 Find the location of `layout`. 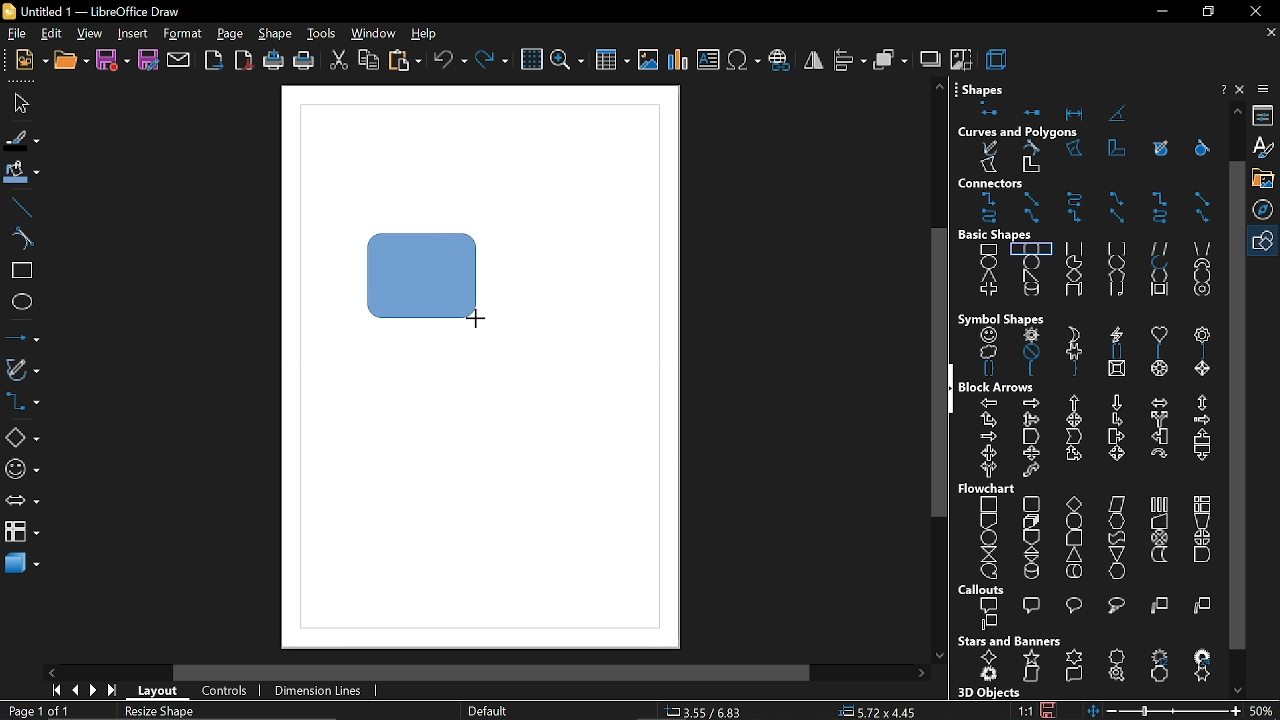

layout is located at coordinates (160, 694).